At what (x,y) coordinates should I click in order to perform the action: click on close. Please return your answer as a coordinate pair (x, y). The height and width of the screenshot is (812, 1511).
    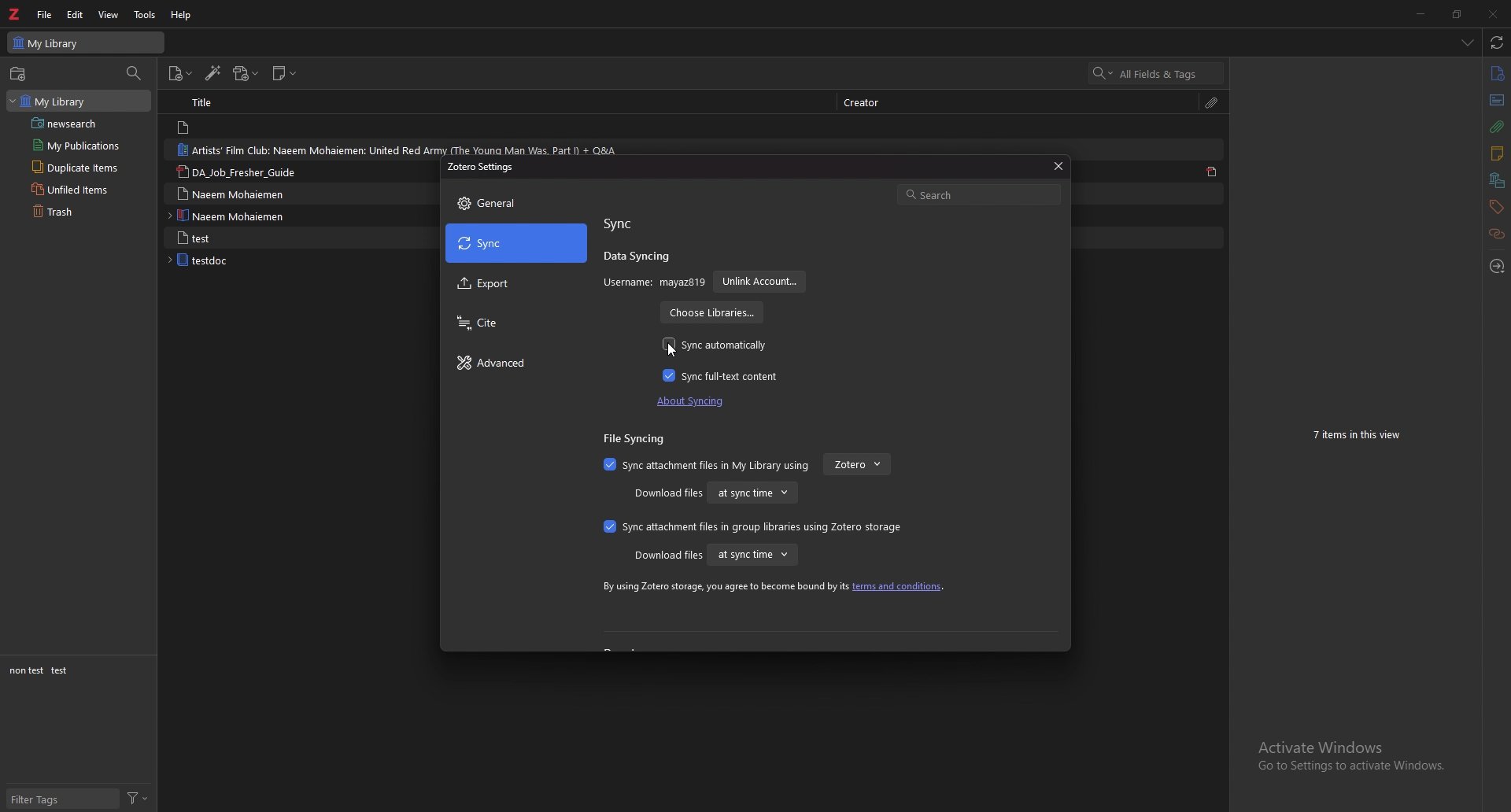
    Looking at the image, I should click on (1056, 166).